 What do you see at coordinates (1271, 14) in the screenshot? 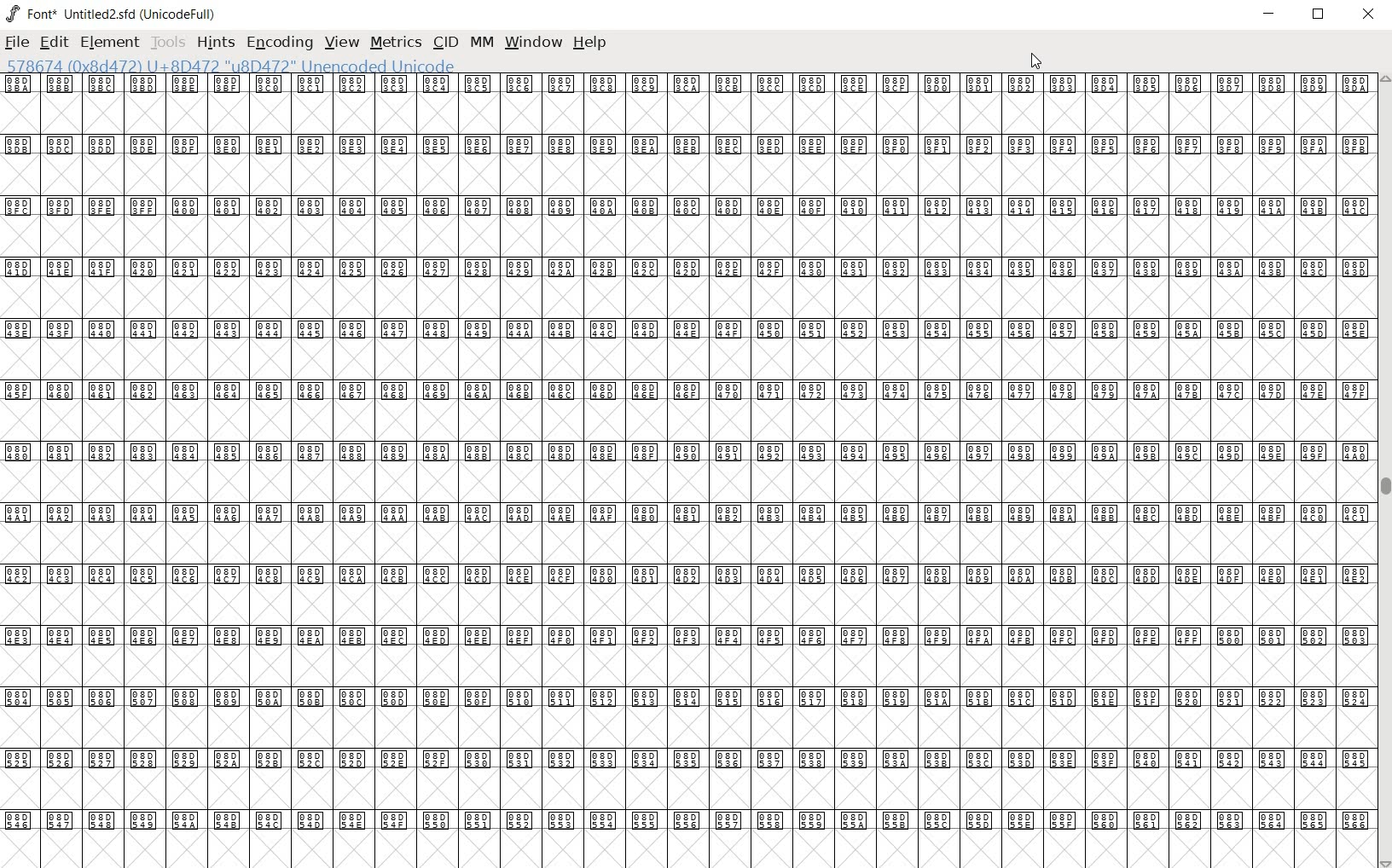
I see `minimize` at bounding box center [1271, 14].